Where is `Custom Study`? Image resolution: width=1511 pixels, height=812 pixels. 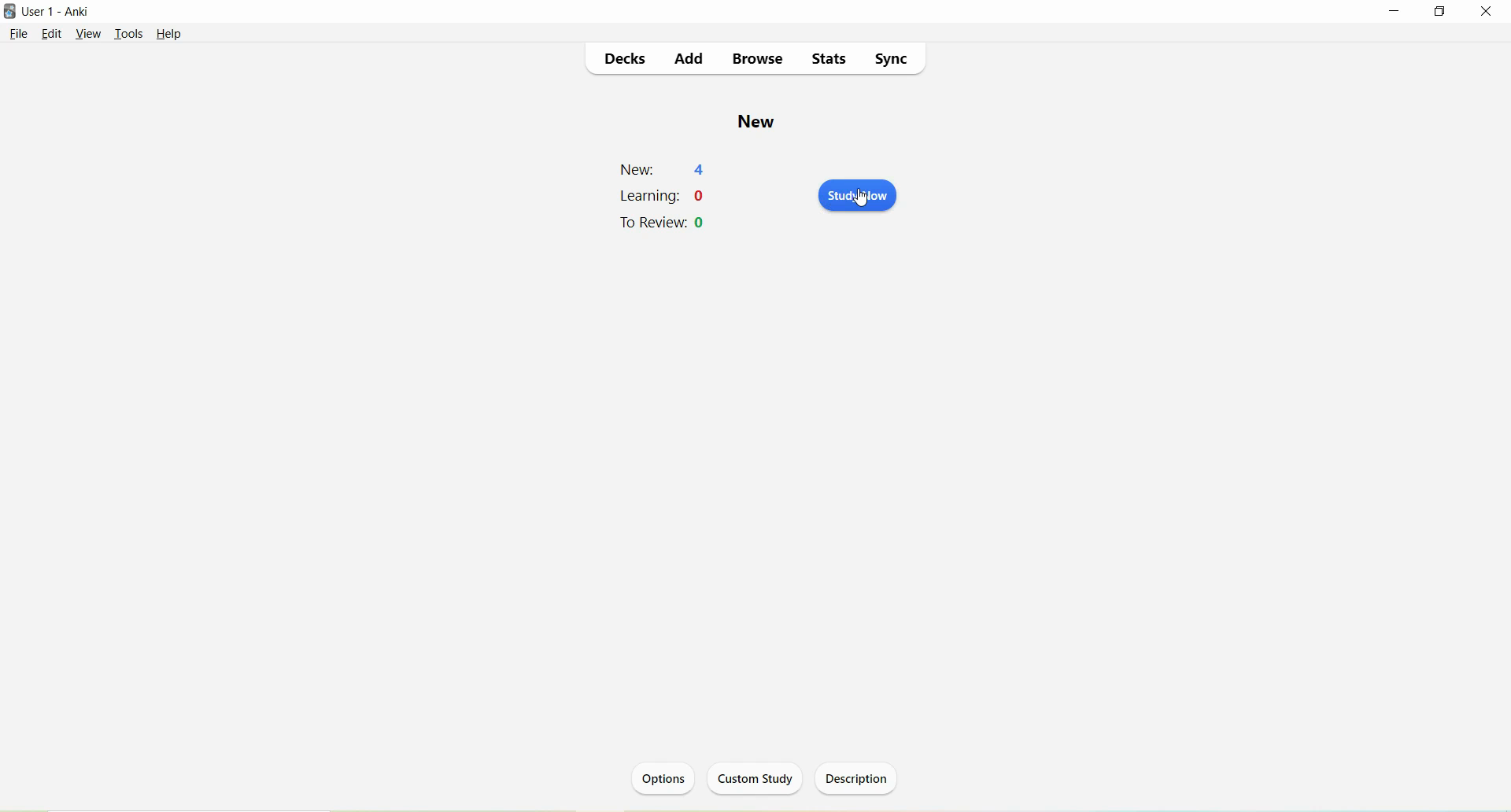
Custom Study is located at coordinates (758, 777).